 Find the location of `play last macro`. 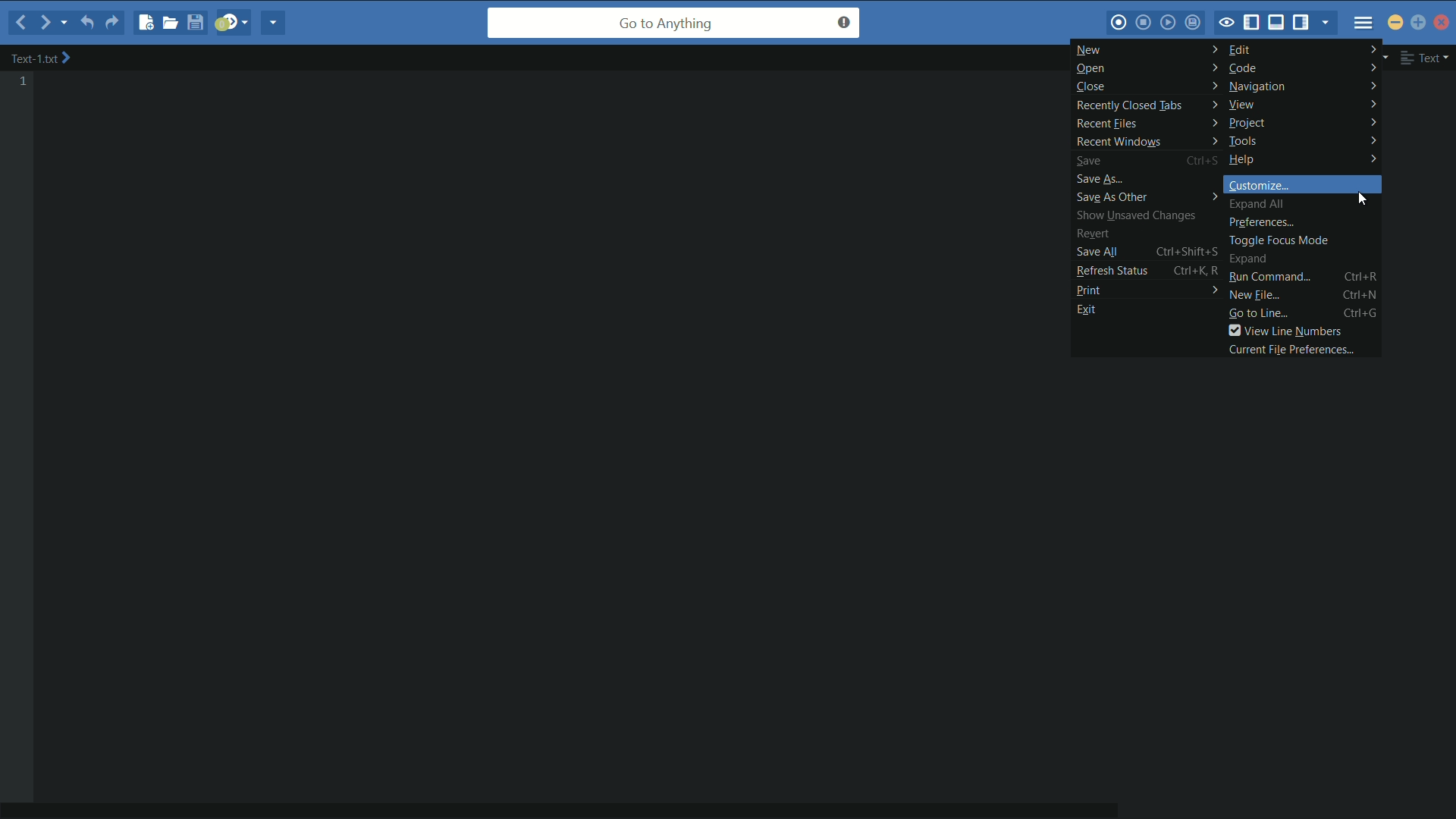

play last macro is located at coordinates (1168, 23).